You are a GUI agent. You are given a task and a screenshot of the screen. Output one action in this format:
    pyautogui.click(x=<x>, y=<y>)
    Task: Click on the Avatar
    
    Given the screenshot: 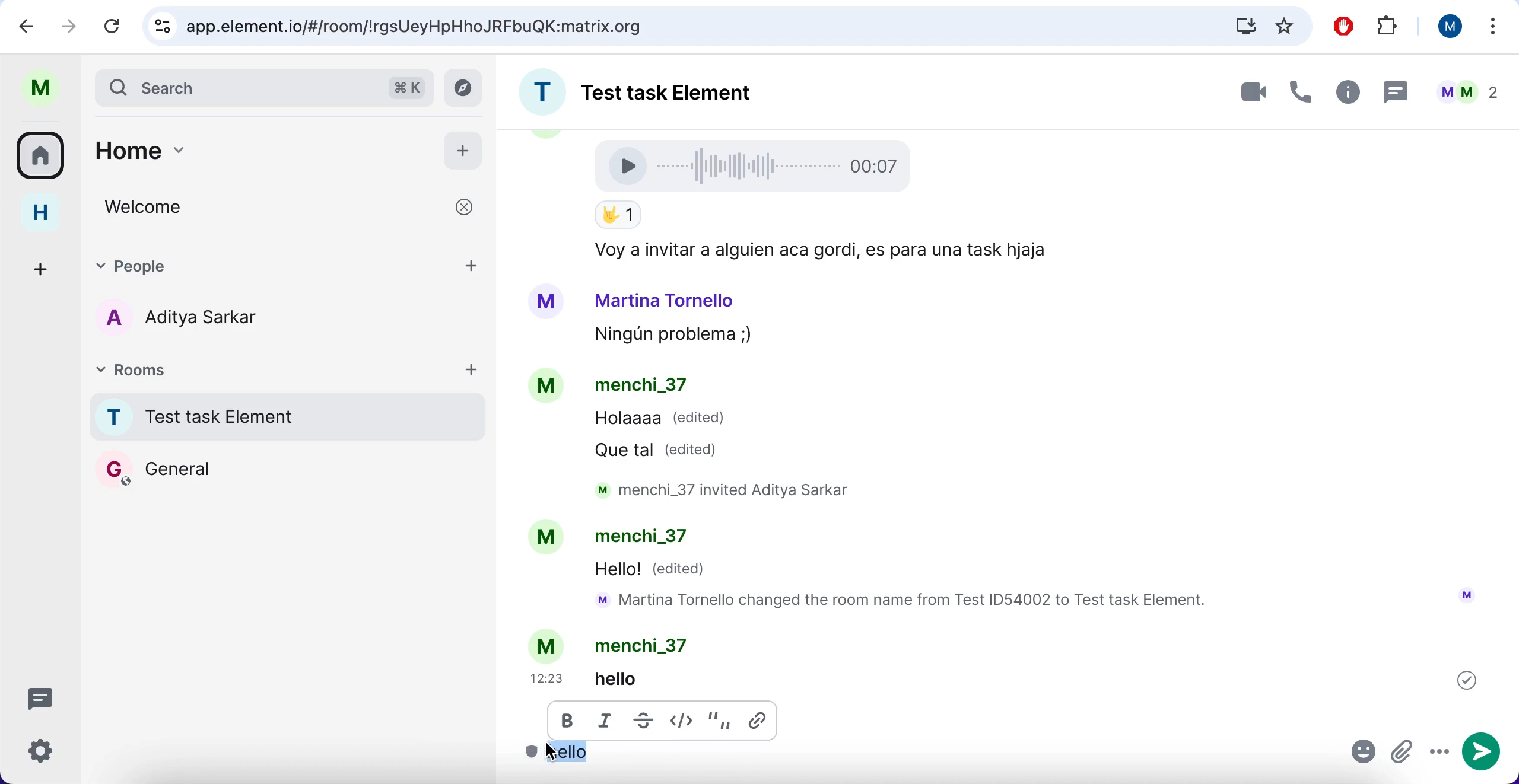 What is the action you would take?
    pyautogui.click(x=548, y=388)
    